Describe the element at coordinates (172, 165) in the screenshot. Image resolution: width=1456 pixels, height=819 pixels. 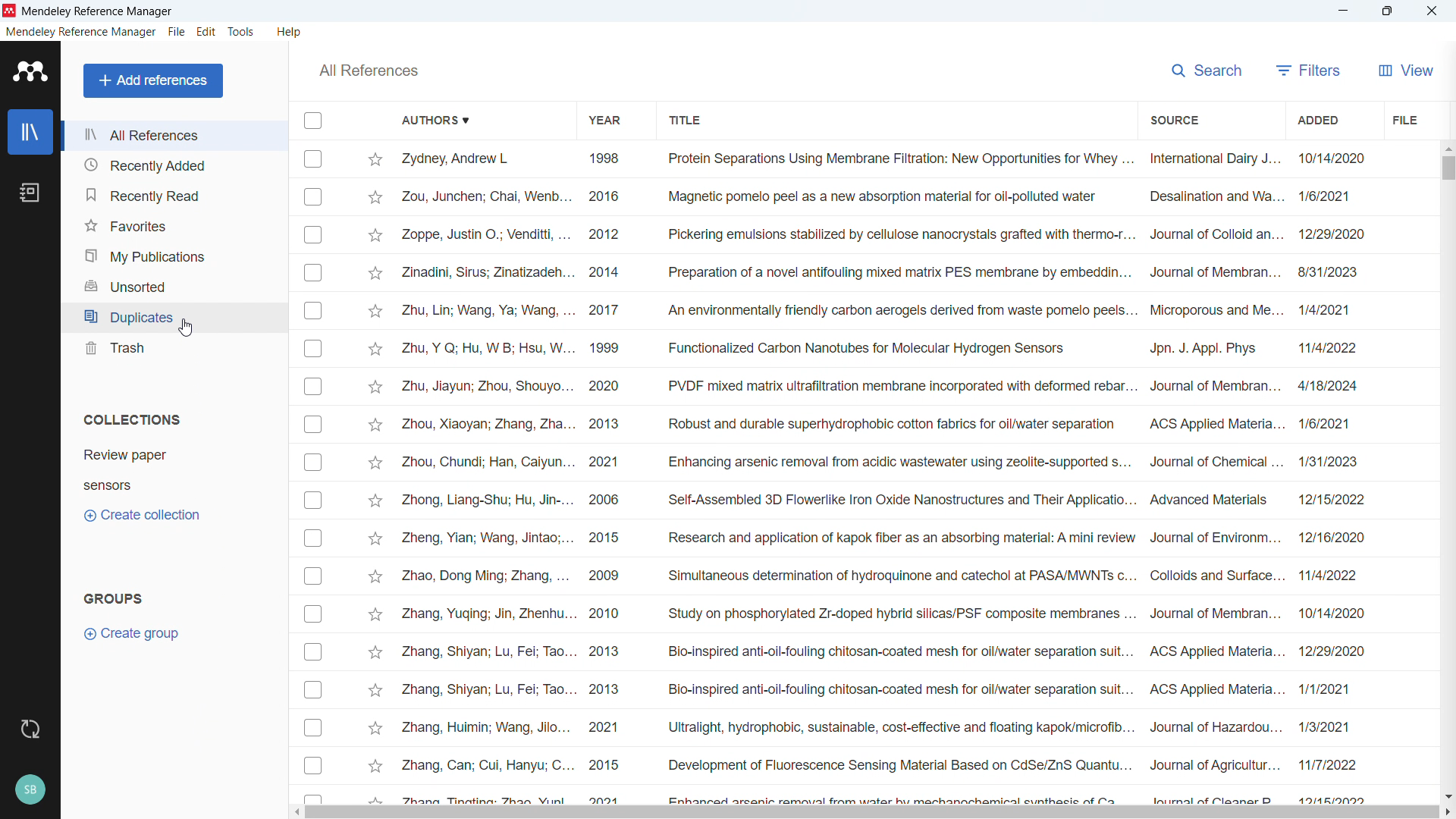
I see `recently added ` at that location.